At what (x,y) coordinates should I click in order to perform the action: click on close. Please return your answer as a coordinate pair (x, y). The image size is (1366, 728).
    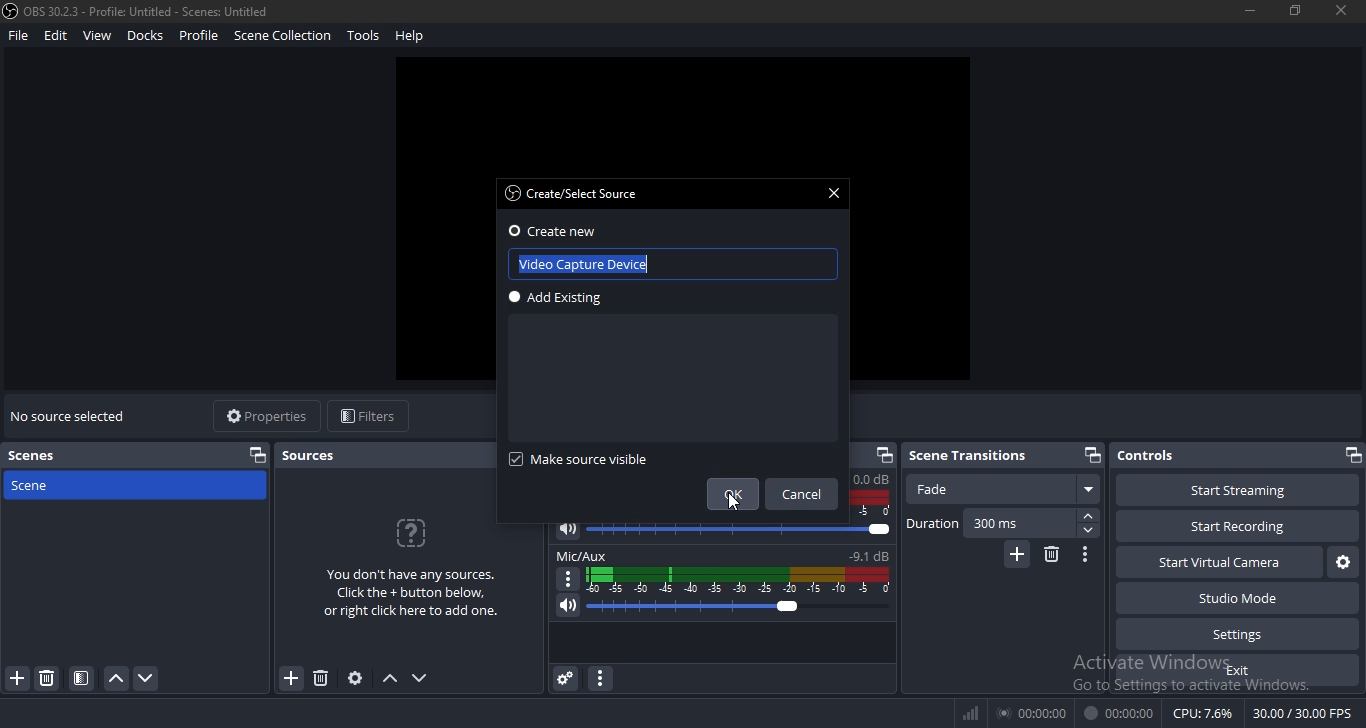
    Looking at the image, I should click on (833, 192).